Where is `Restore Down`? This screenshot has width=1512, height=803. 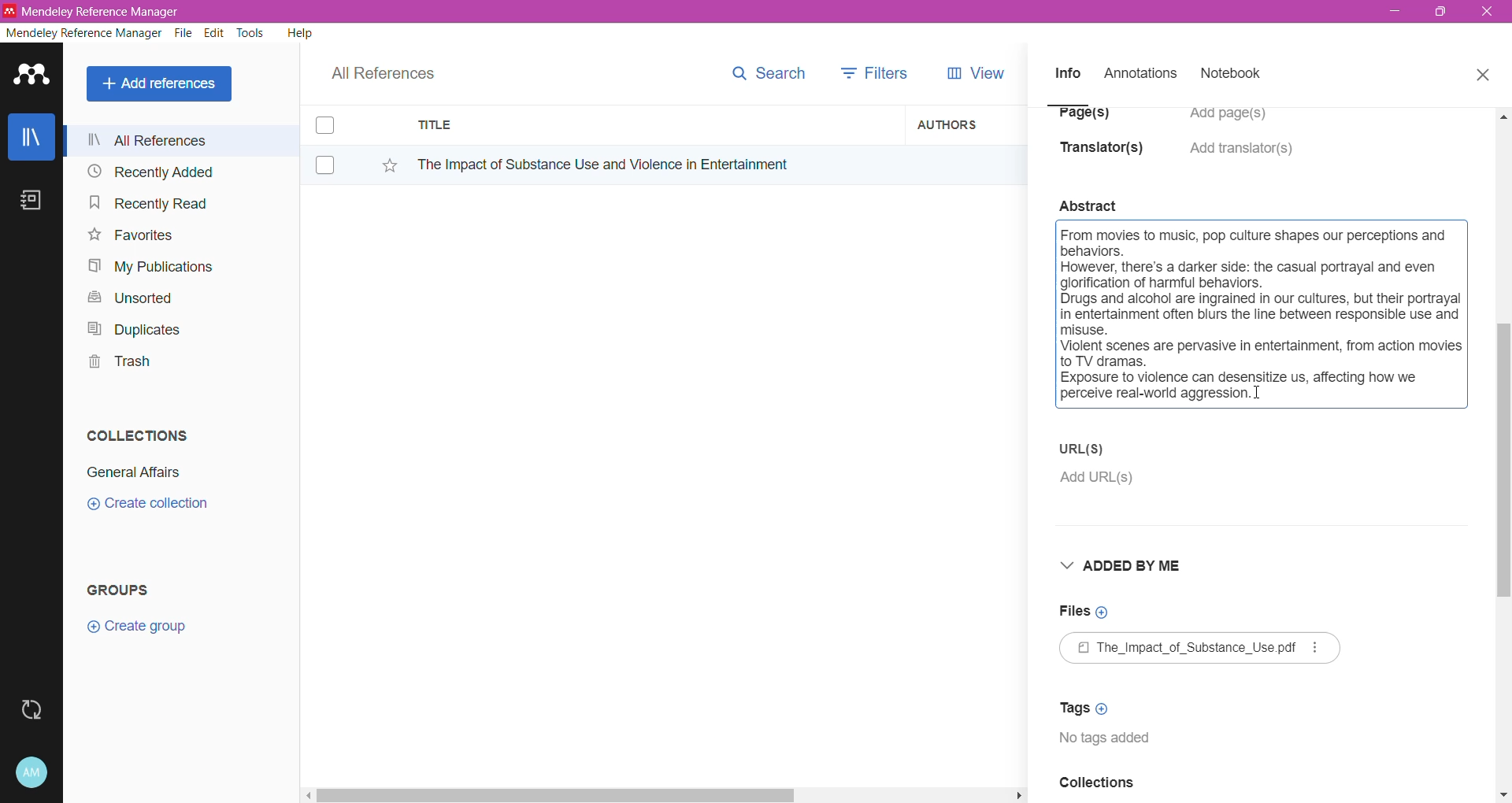 Restore Down is located at coordinates (1442, 13).